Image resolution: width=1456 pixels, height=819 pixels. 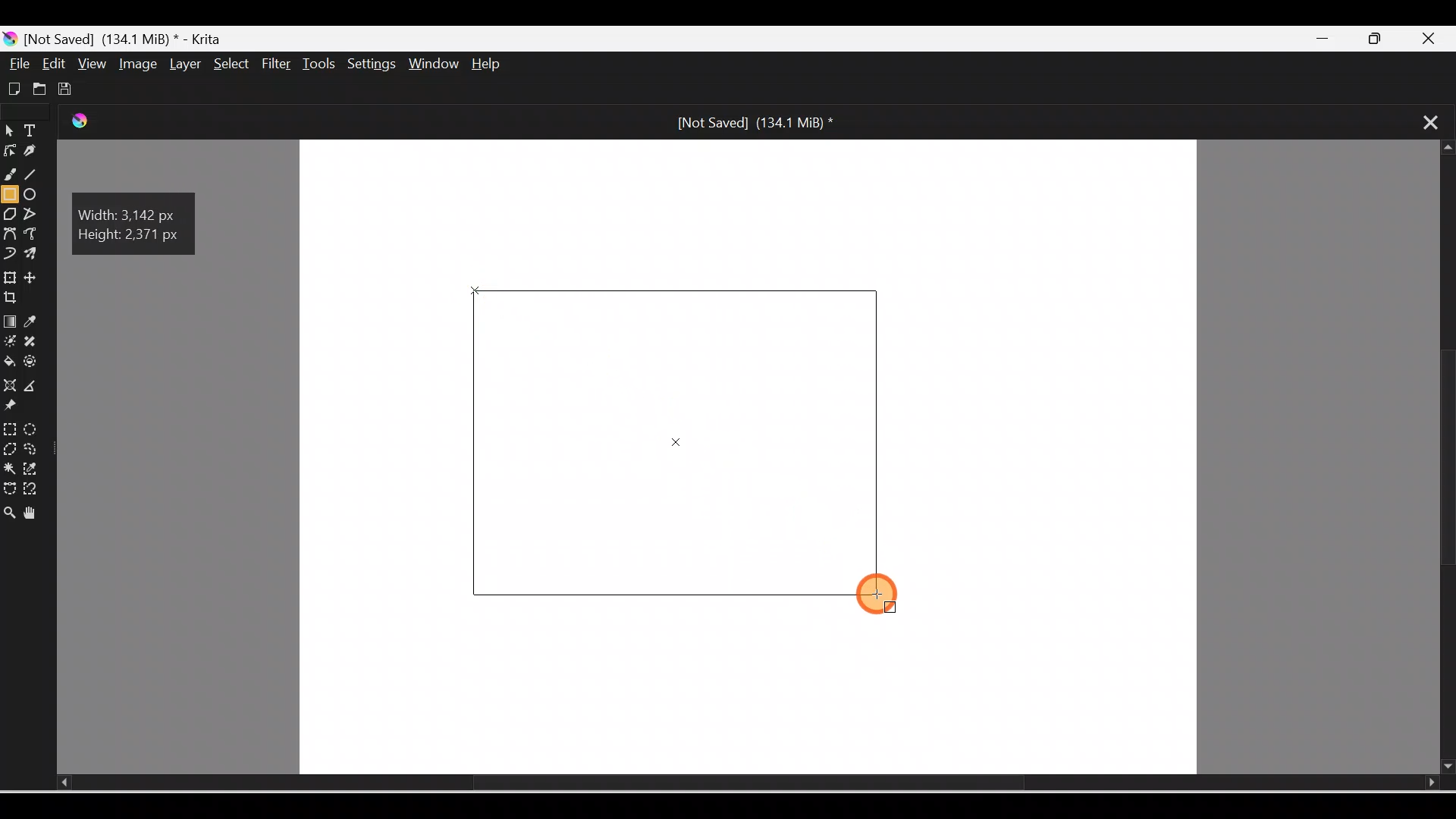 I want to click on [Not Saved] (171.2 MiB) * , so click(x=751, y=121).